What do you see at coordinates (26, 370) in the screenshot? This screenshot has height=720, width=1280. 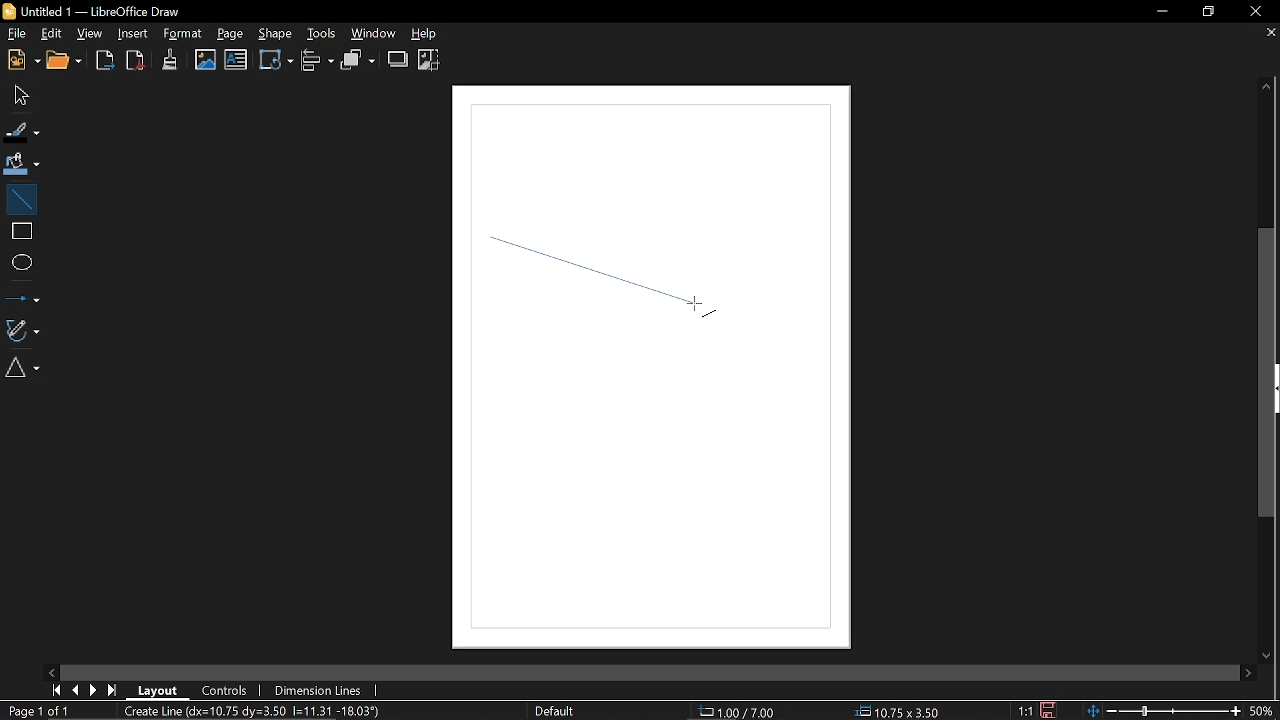 I see `basic shapes` at bounding box center [26, 370].